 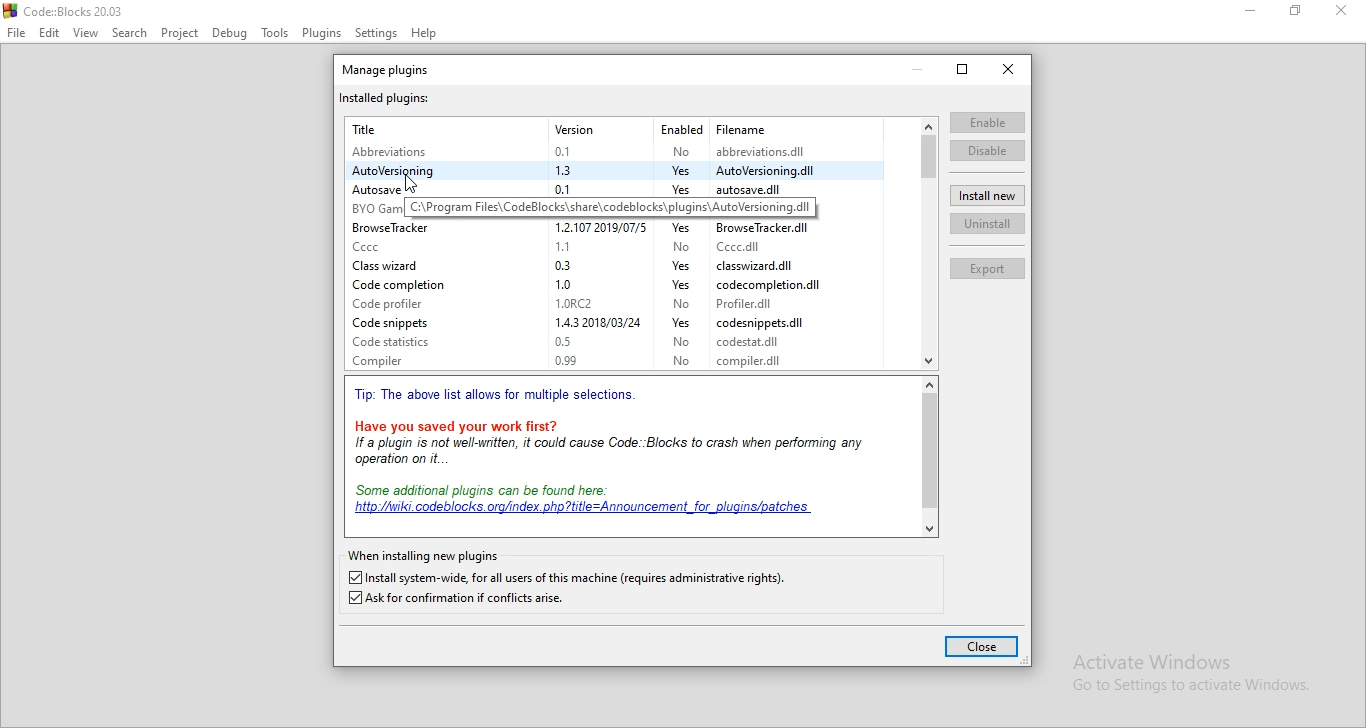 I want to click on ‘codestat.dil, so click(x=752, y=345).